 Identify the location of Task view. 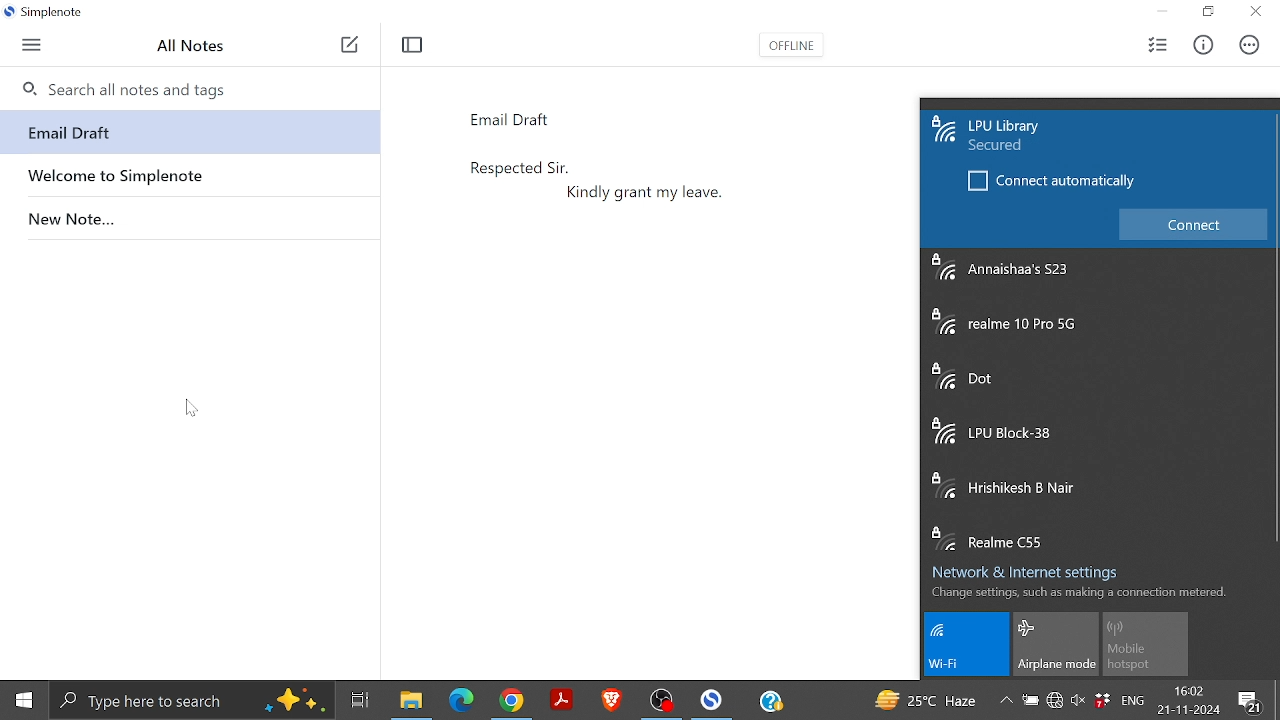
(359, 698).